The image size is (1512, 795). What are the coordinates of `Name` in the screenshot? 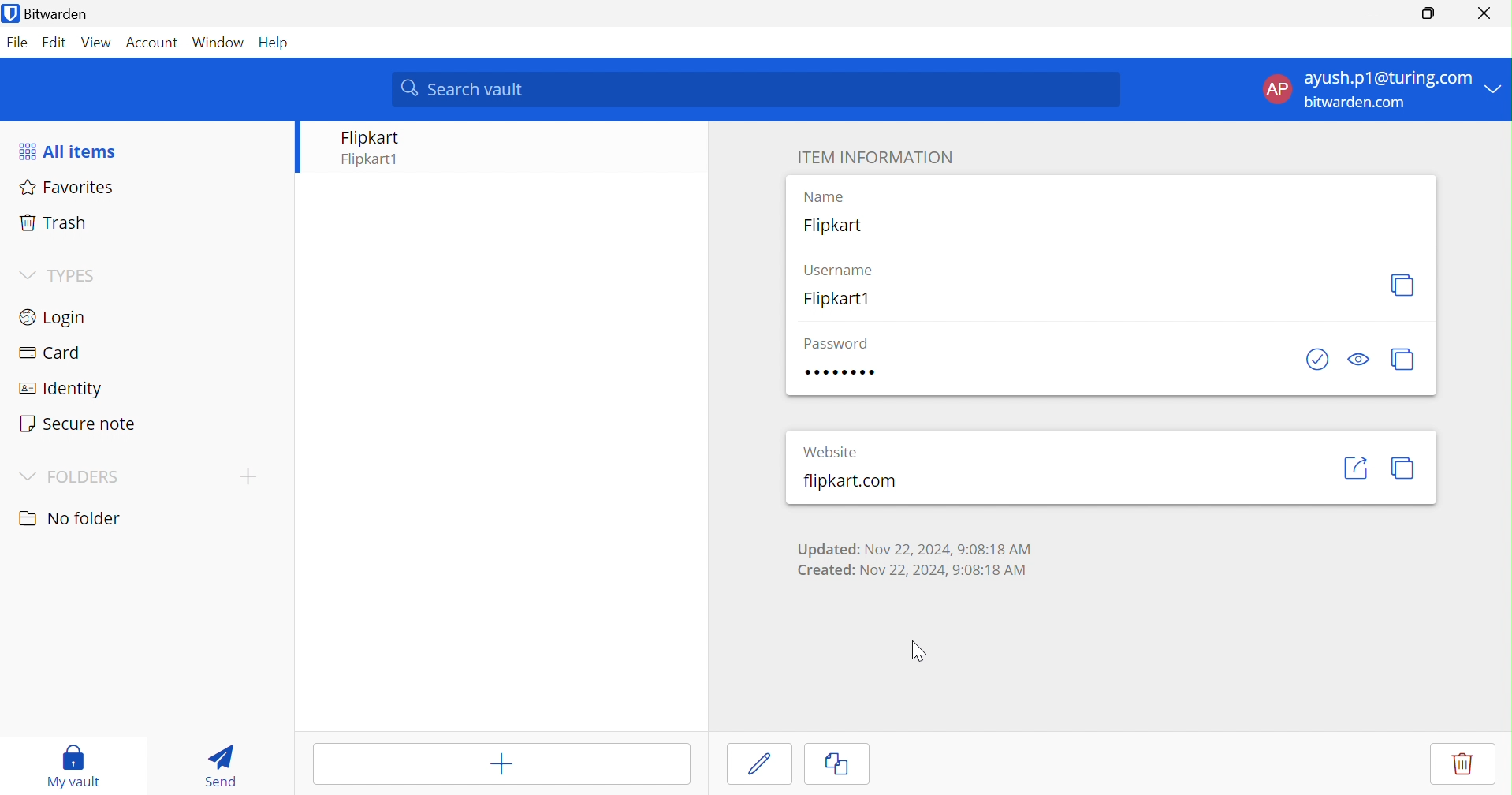 It's located at (819, 196).